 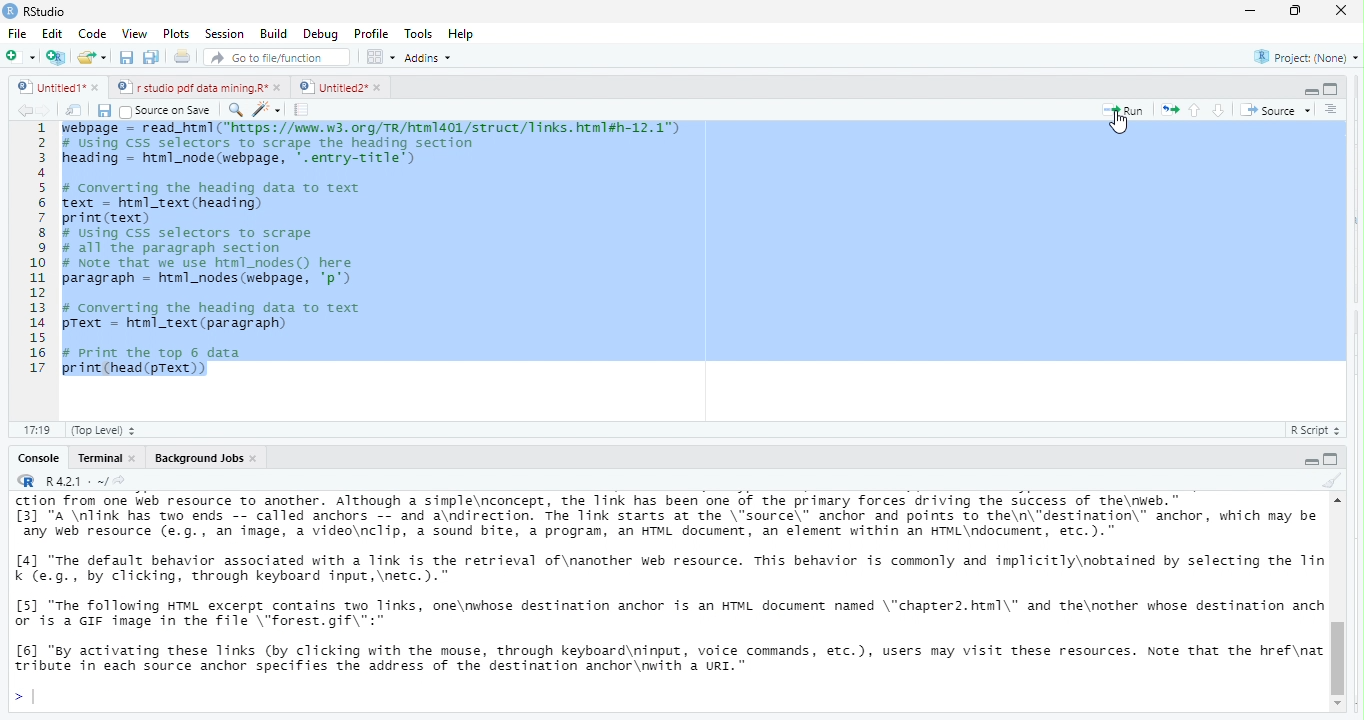 I want to click on (top Level), so click(x=104, y=430).